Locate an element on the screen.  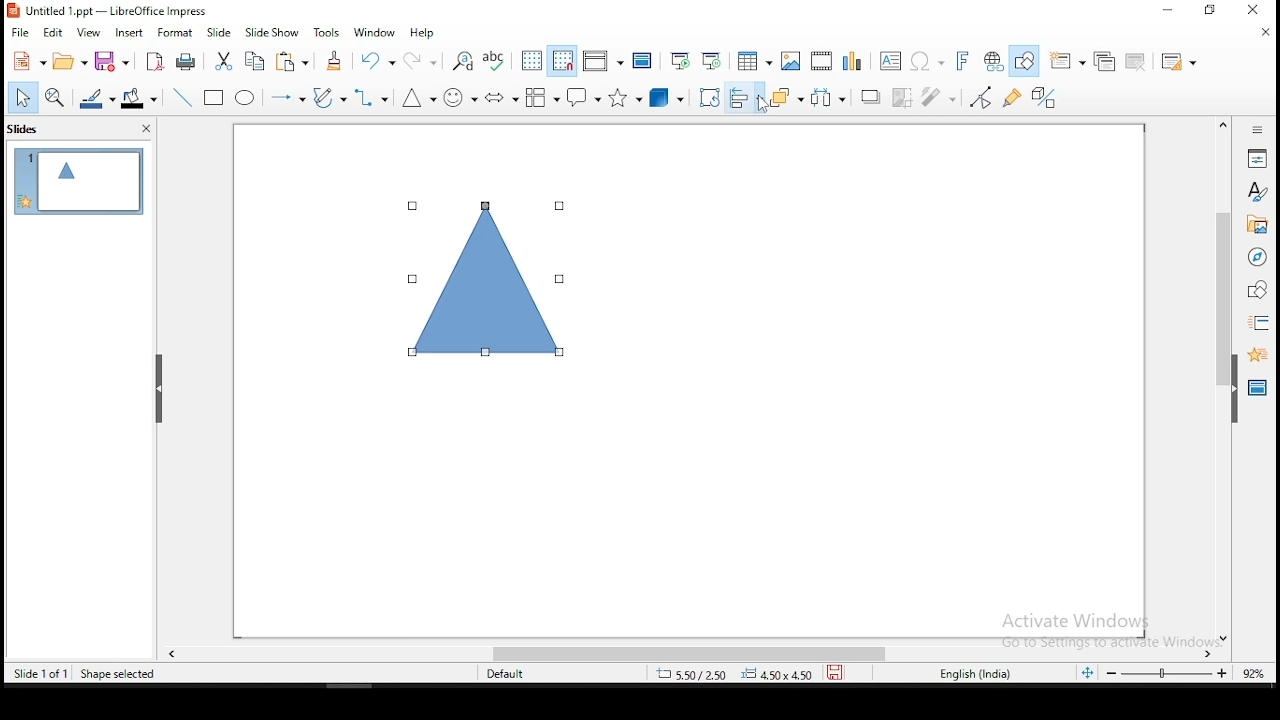
animation is located at coordinates (1256, 355).